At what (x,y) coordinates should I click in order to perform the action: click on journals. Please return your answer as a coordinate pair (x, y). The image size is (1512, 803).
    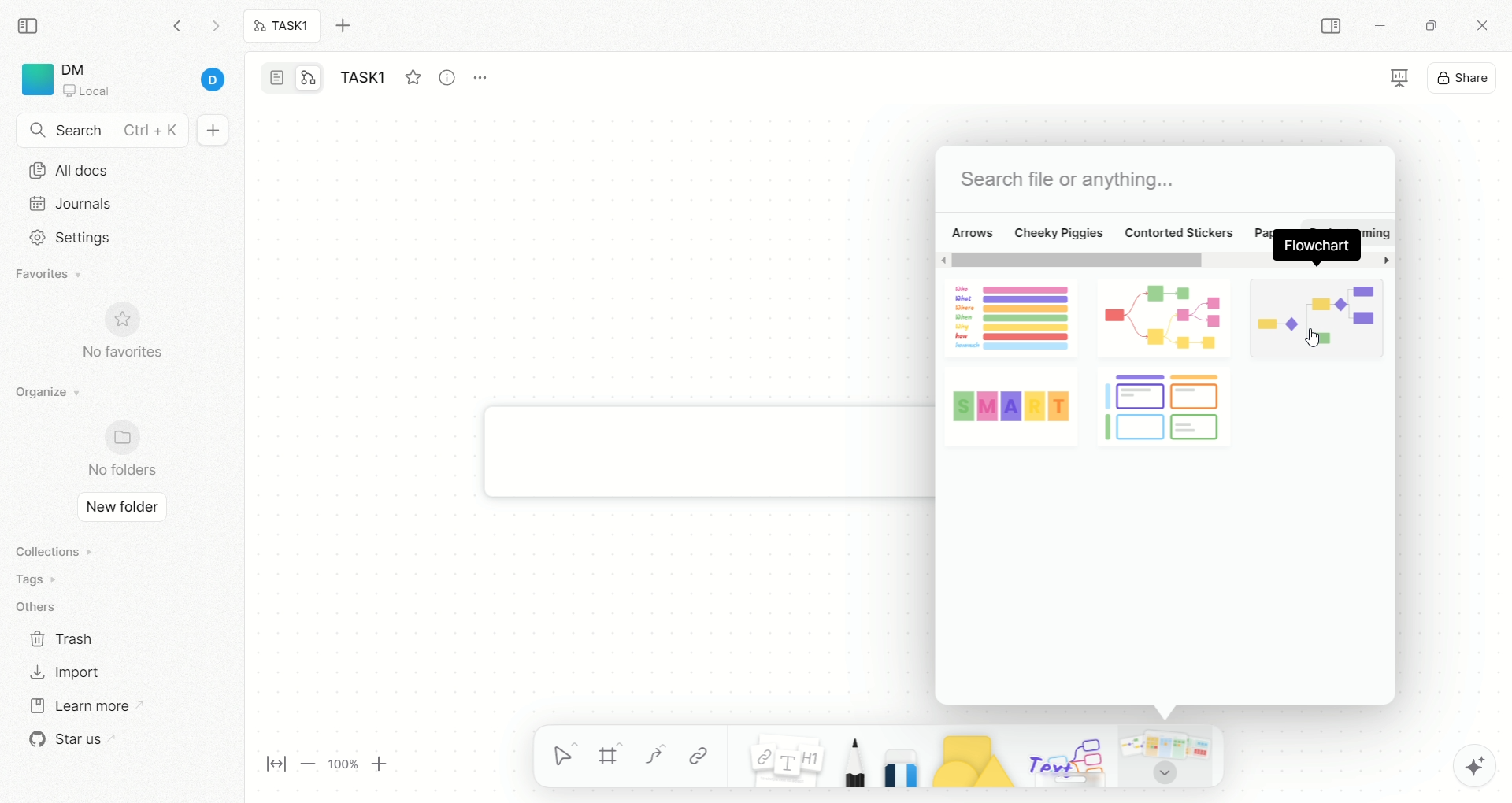
    Looking at the image, I should click on (74, 203).